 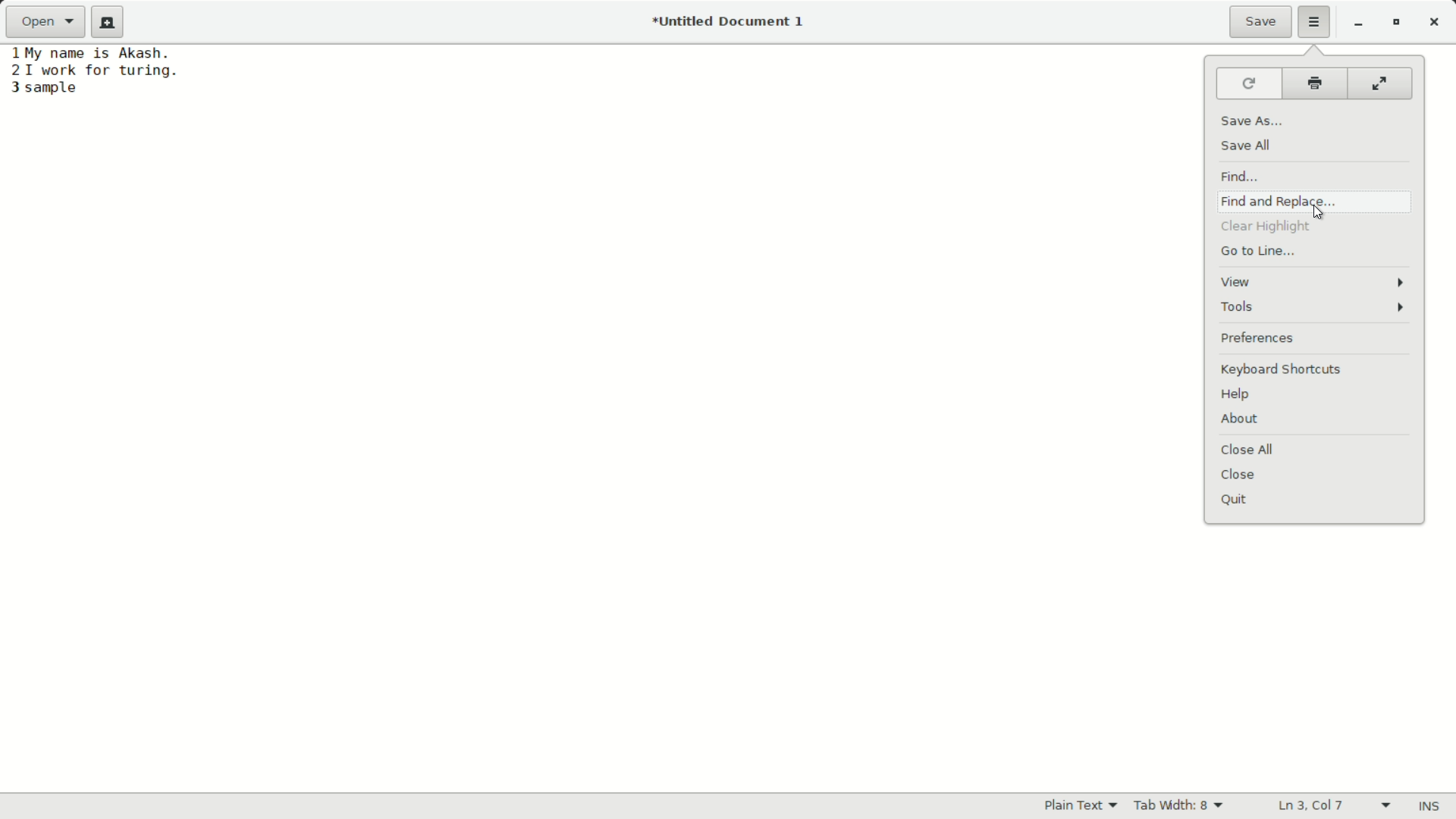 What do you see at coordinates (45, 22) in the screenshot?
I see `open a file` at bounding box center [45, 22].